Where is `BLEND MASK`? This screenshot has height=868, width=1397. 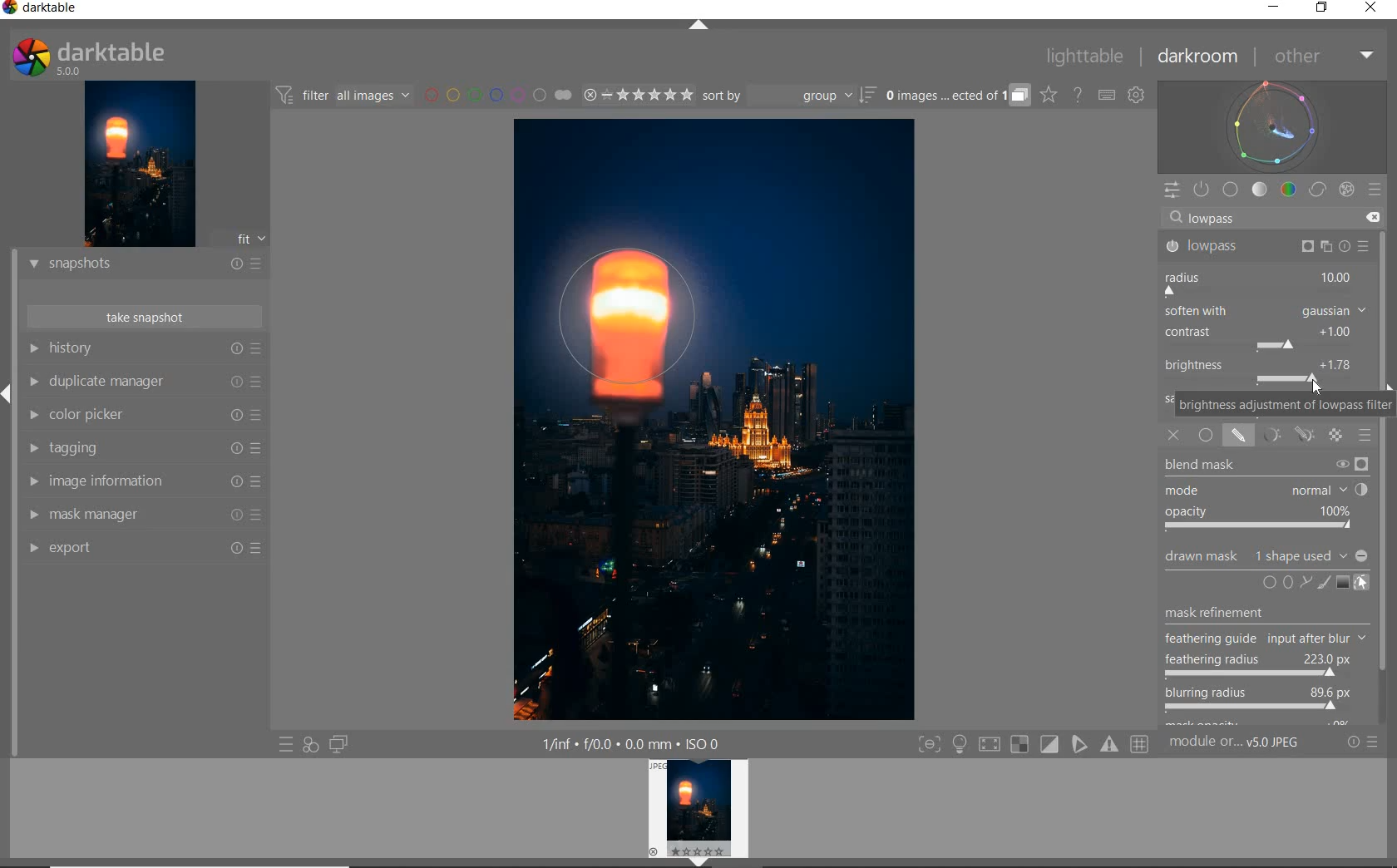 BLEND MASK is located at coordinates (1266, 494).